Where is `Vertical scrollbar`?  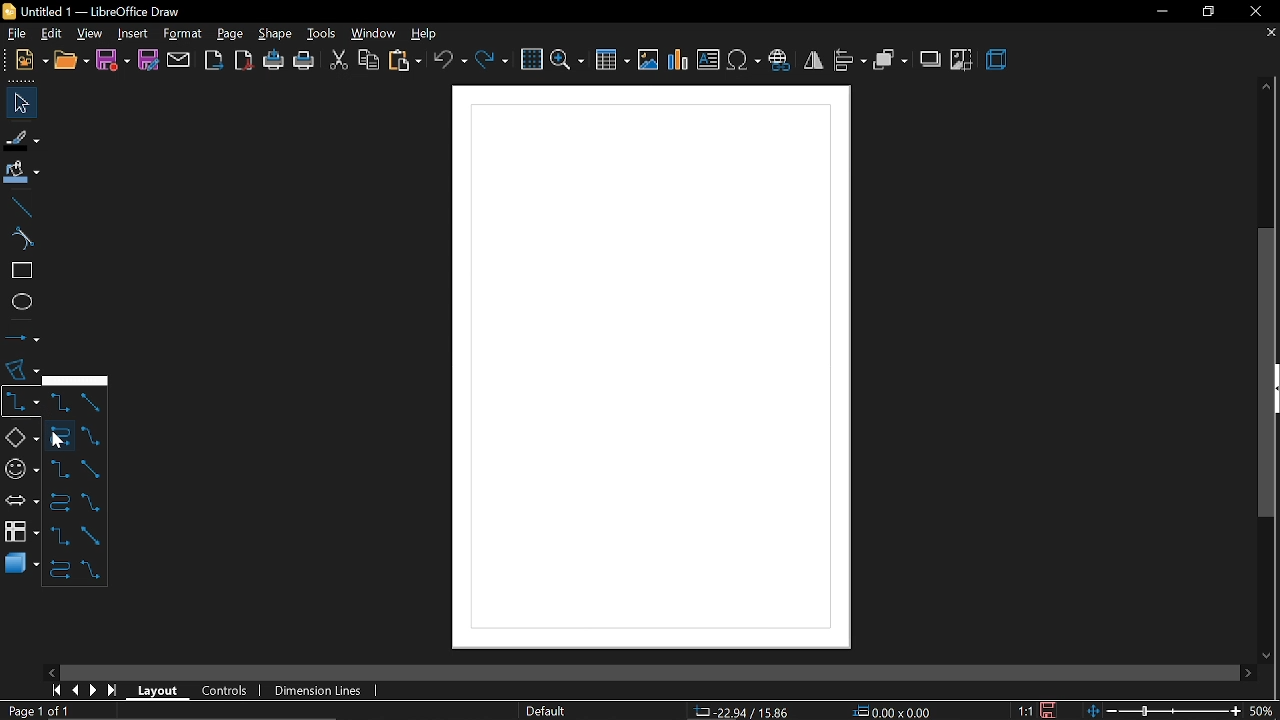 Vertical scrollbar is located at coordinates (1267, 374).